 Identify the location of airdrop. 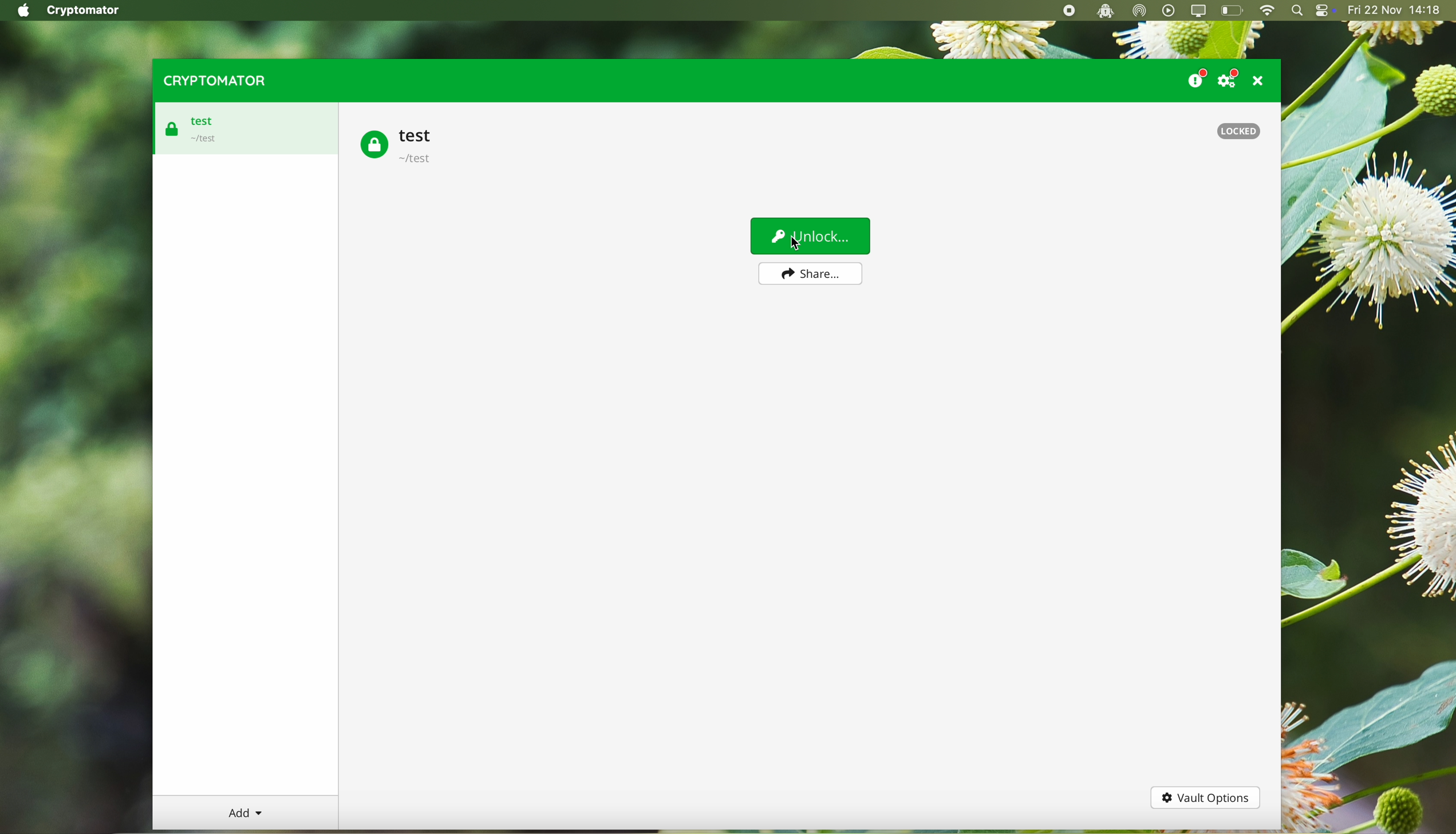
(1139, 11).